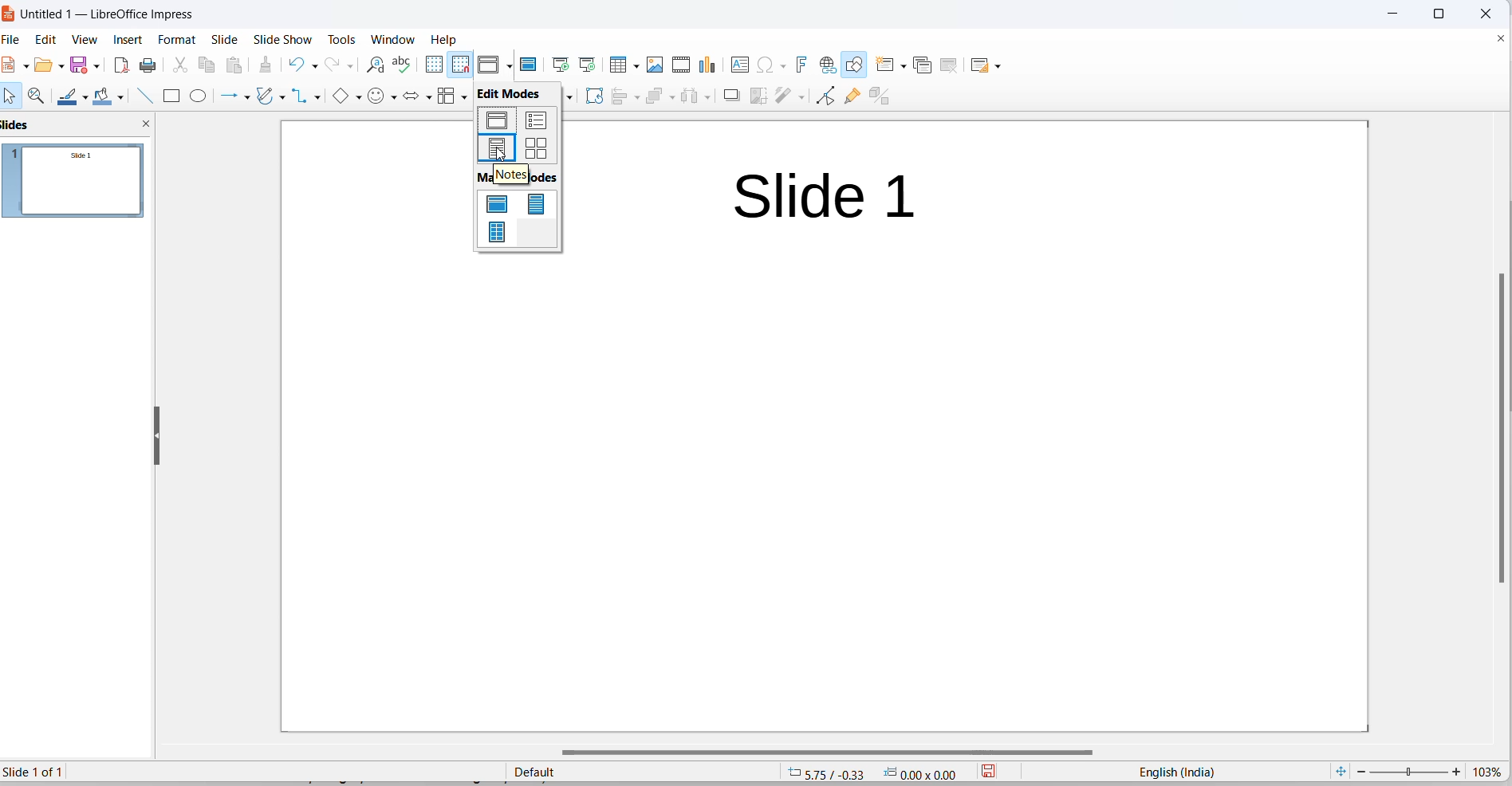 The height and width of the screenshot is (786, 1512). What do you see at coordinates (1501, 39) in the screenshot?
I see `close document` at bounding box center [1501, 39].